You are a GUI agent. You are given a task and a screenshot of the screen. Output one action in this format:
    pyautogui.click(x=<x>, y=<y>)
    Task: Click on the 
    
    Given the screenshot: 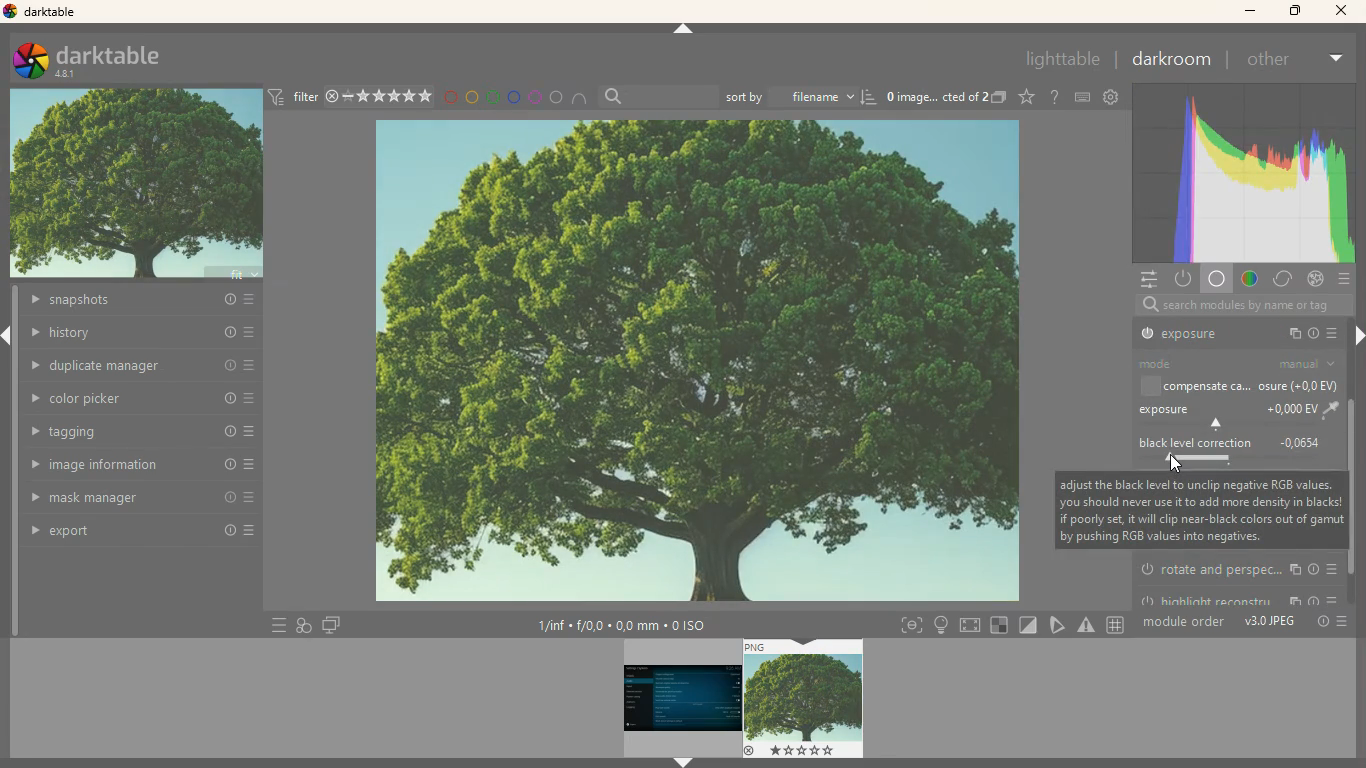 What is the action you would take?
    pyautogui.click(x=1319, y=625)
    